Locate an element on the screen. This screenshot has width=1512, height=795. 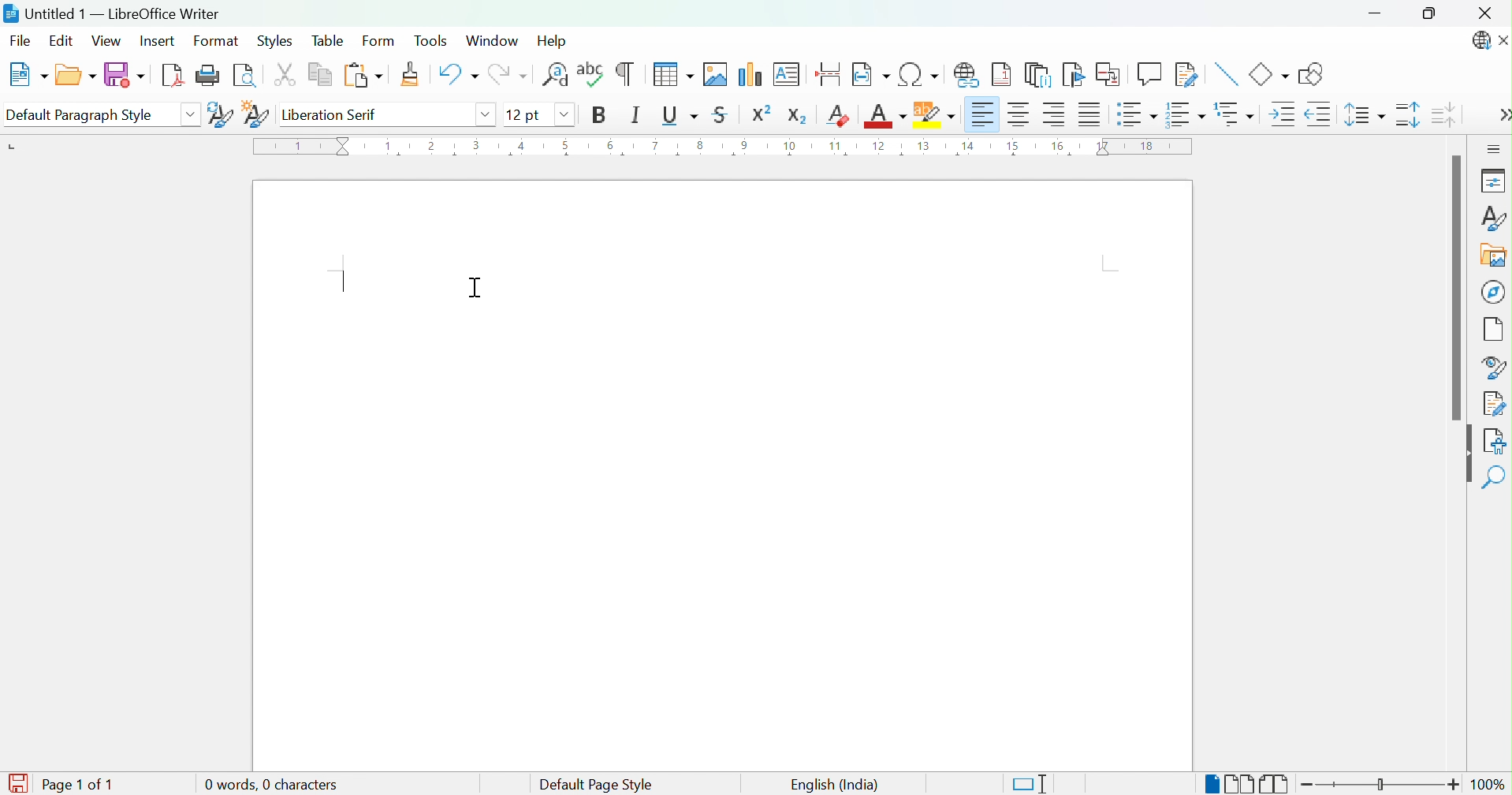
Toggle unordered list is located at coordinates (1136, 116).